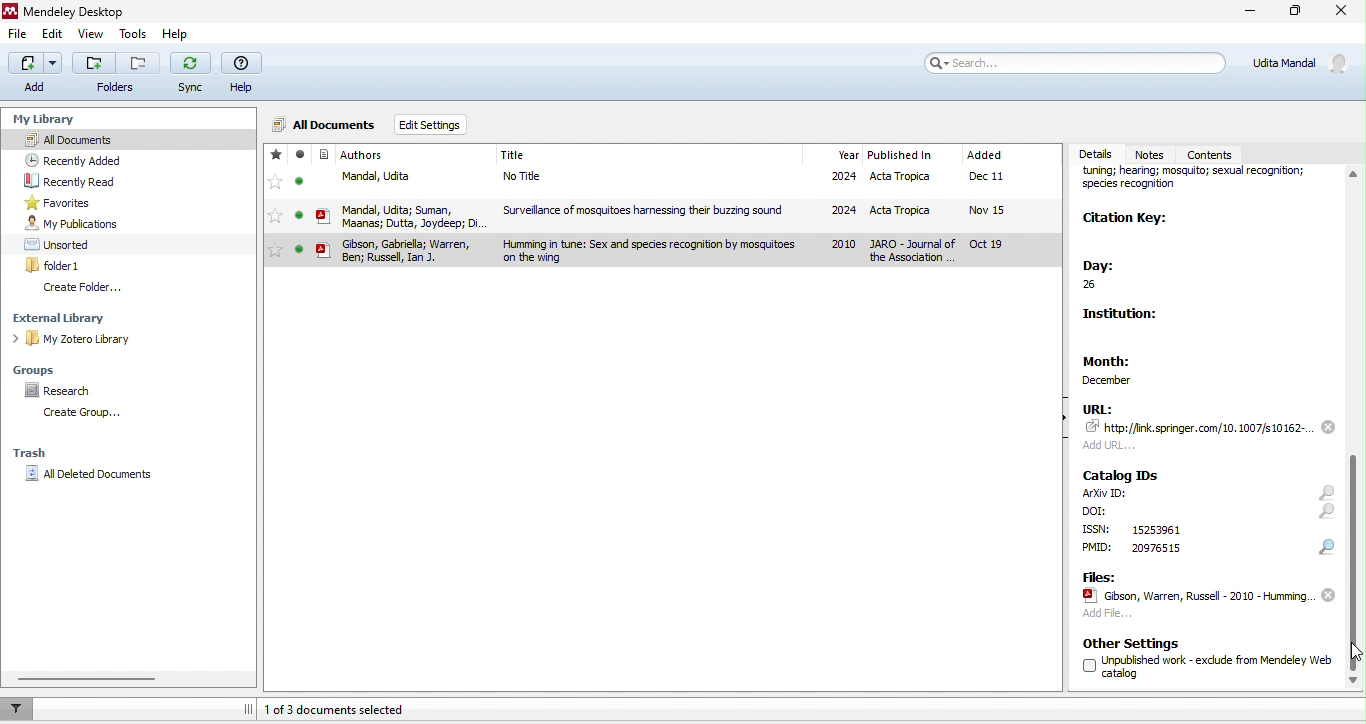  Describe the element at coordinates (430, 123) in the screenshot. I see `edit settings` at that location.